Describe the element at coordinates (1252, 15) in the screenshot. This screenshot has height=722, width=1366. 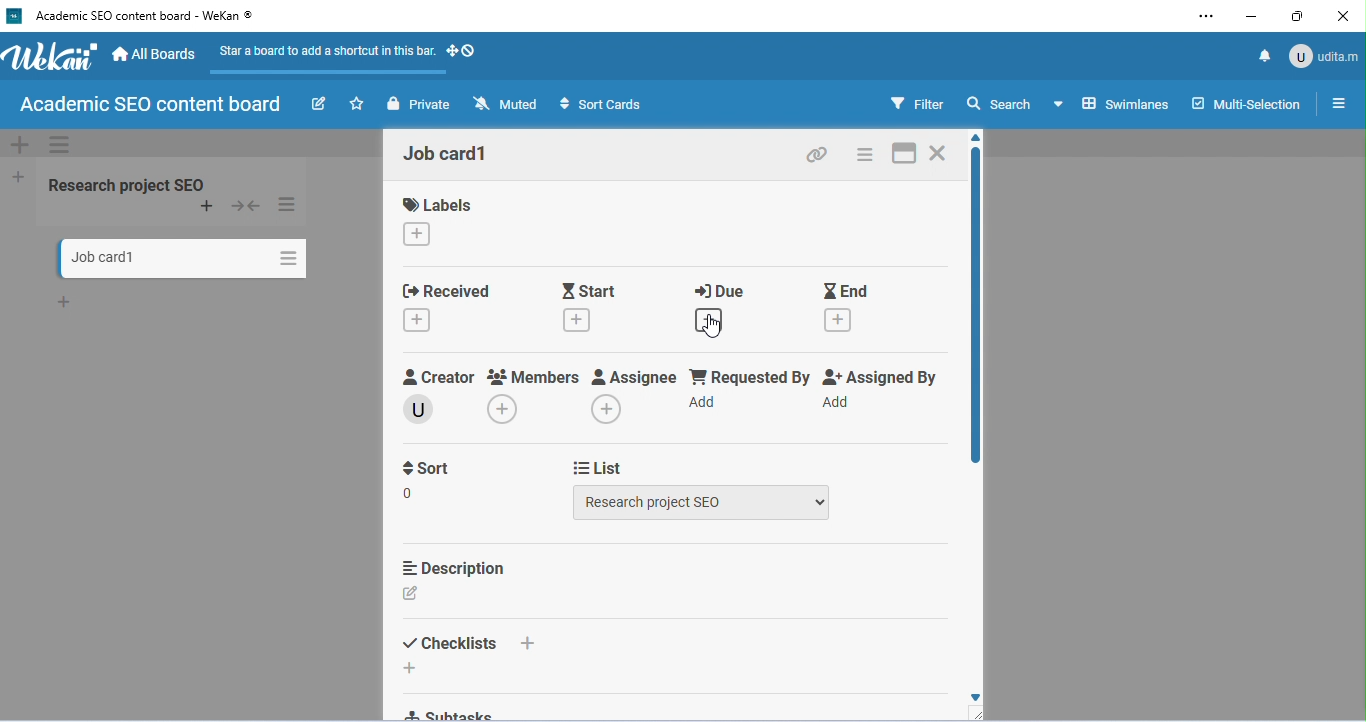
I see `minimize` at that location.